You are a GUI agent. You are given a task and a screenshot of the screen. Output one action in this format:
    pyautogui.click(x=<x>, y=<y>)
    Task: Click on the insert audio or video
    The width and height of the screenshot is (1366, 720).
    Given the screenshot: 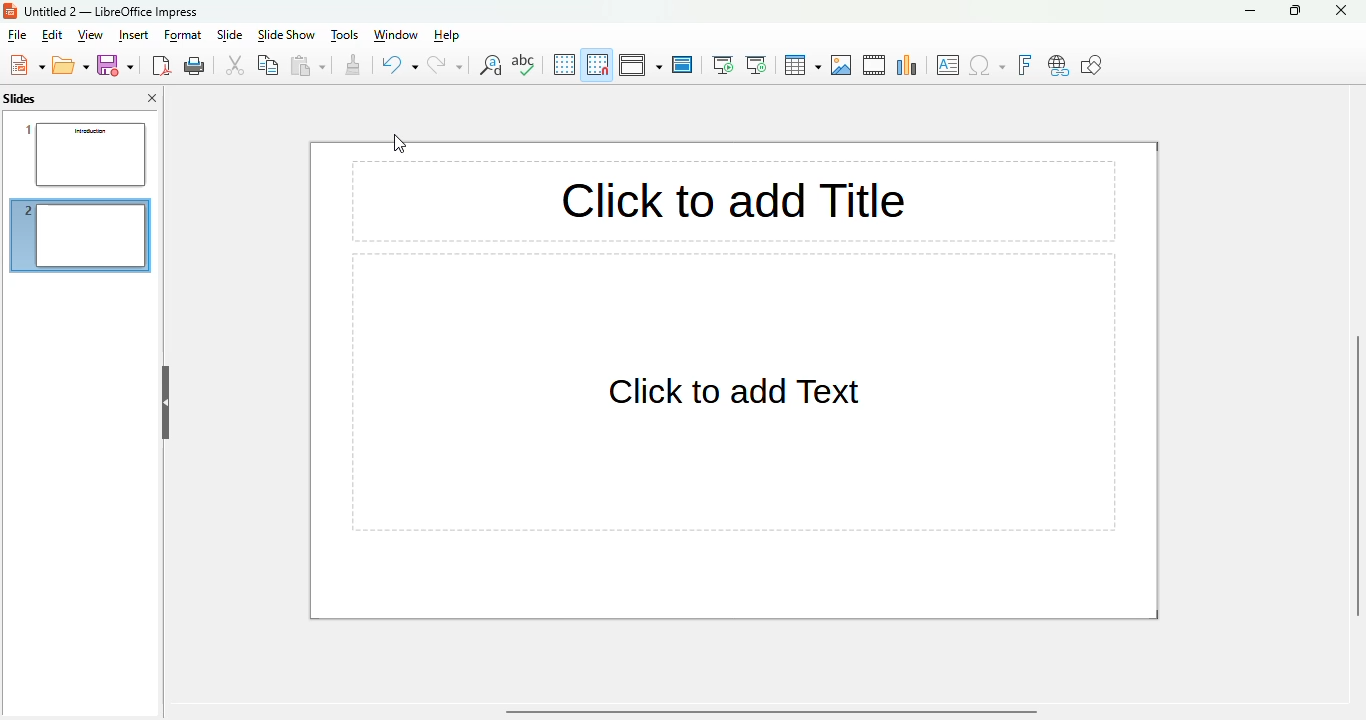 What is the action you would take?
    pyautogui.click(x=875, y=65)
    